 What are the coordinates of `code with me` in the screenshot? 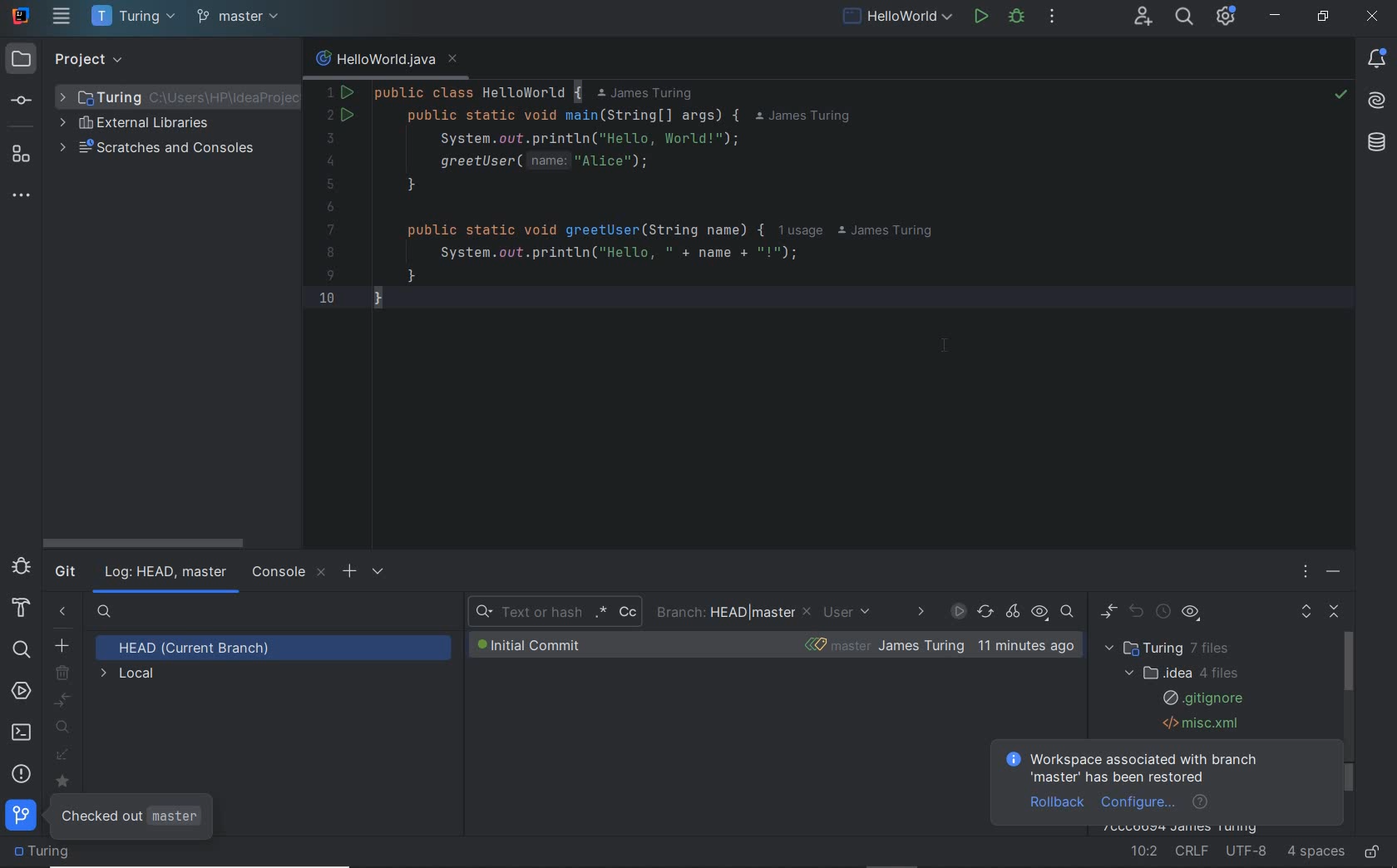 It's located at (1145, 18).